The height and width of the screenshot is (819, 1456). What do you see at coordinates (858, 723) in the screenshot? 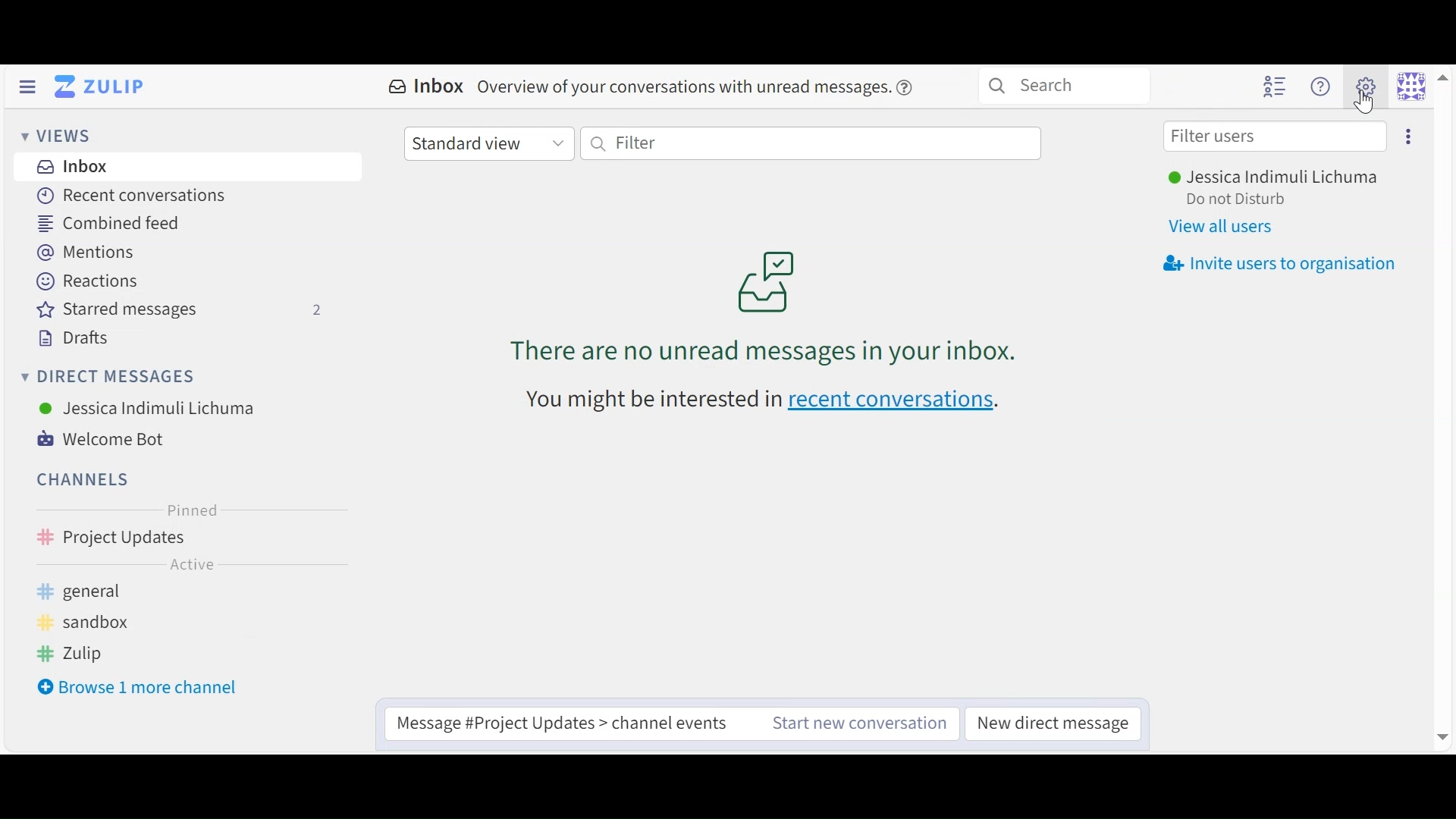
I see `Start new message` at bounding box center [858, 723].